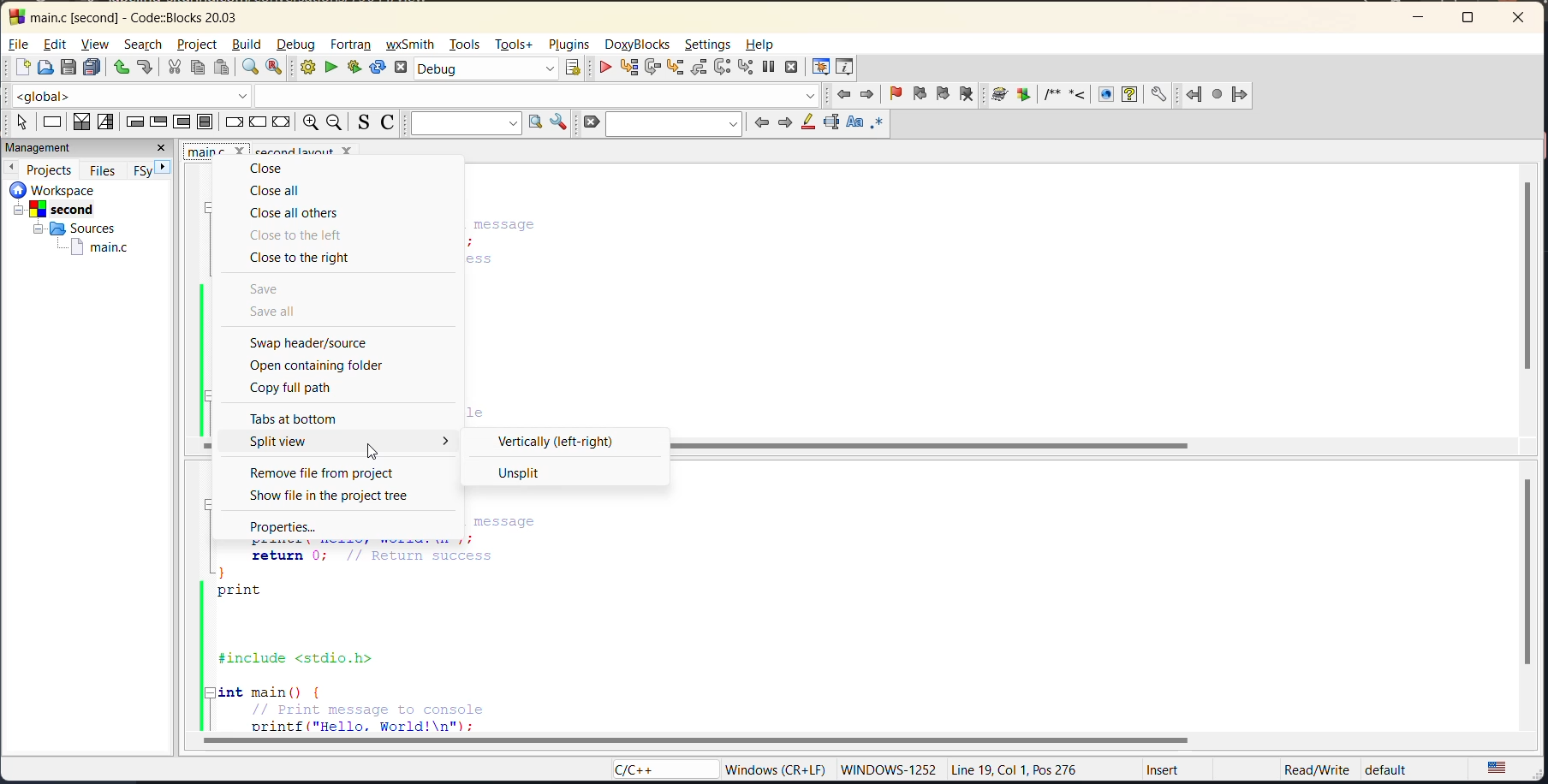 The width and height of the screenshot is (1548, 784). Describe the element at coordinates (56, 45) in the screenshot. I see `edit` at that location.